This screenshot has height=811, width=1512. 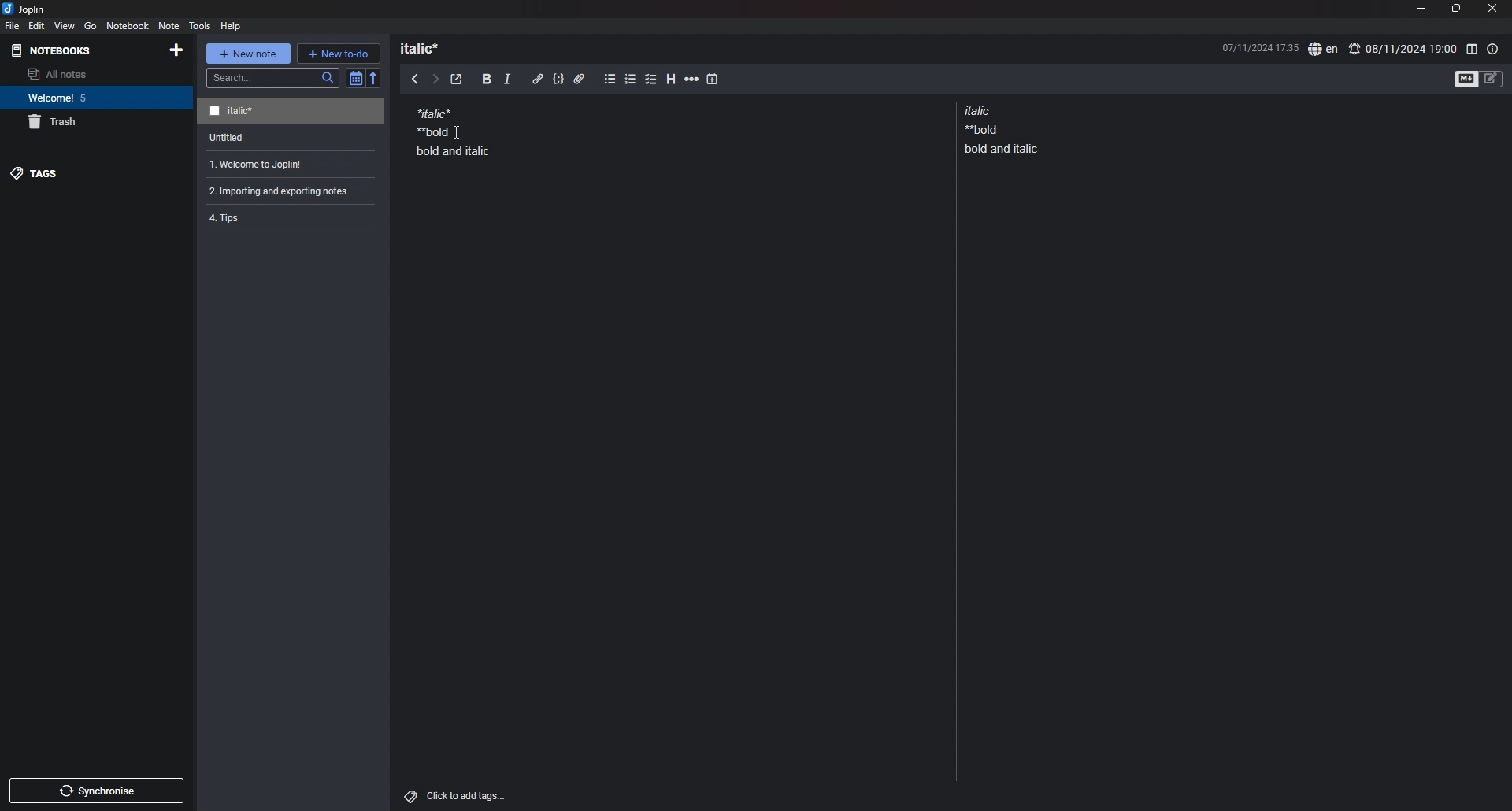 I want to click on note, so click(x=285, y=217).